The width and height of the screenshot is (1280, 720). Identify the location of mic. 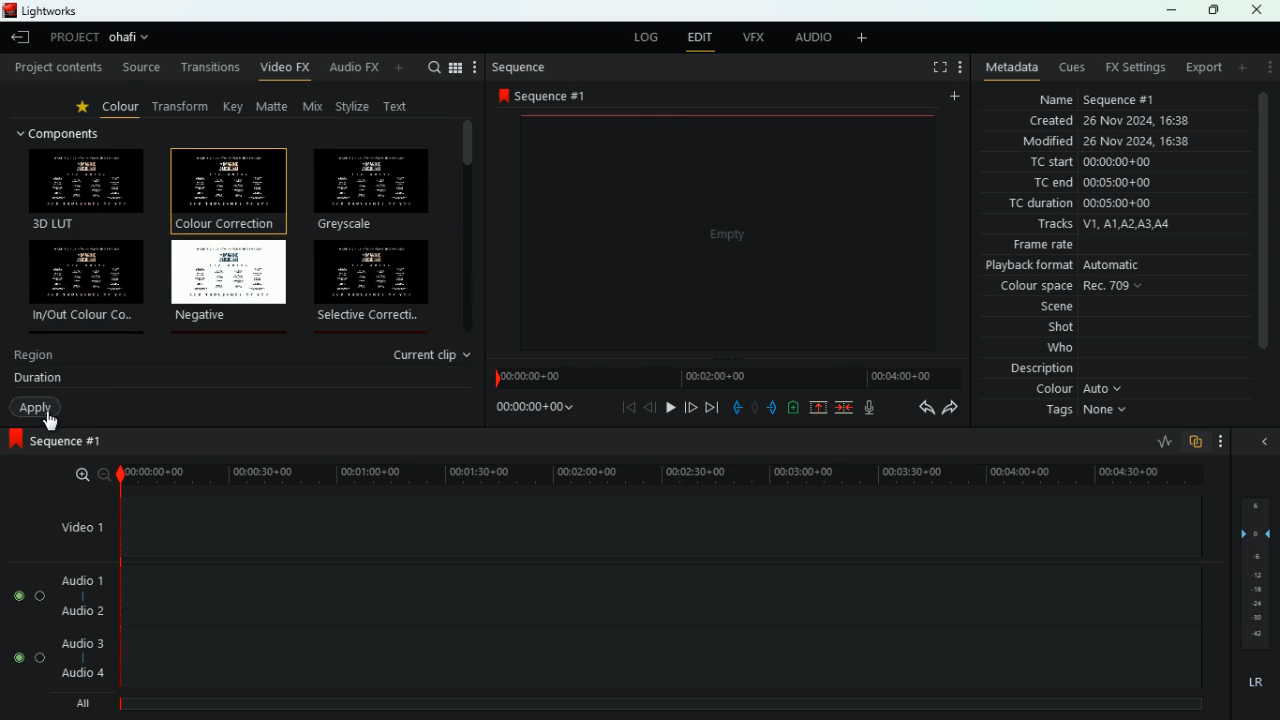
(873, 408).